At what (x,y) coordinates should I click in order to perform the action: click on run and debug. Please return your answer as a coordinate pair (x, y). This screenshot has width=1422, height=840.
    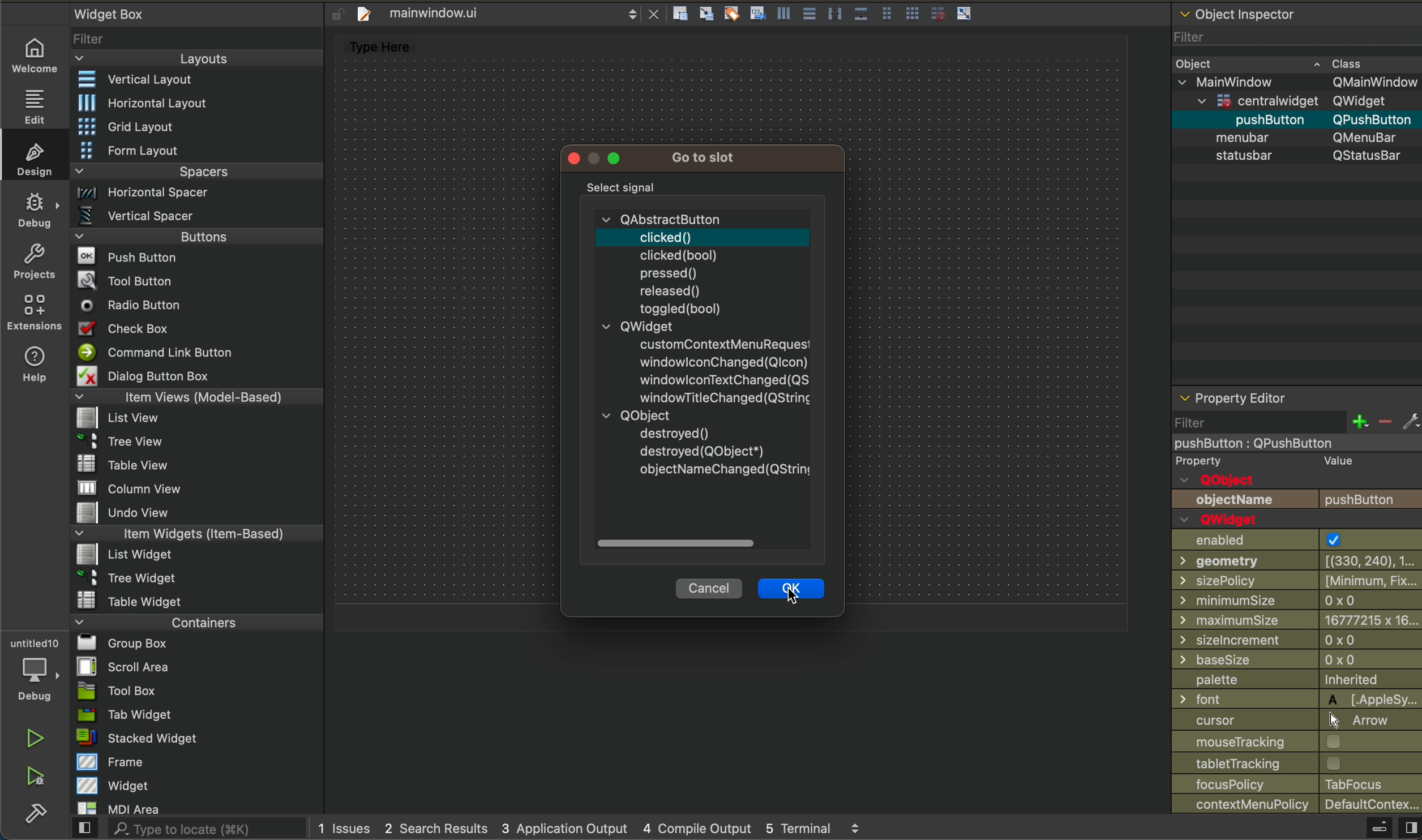
    Looking at the image, I should click on (34, 781).